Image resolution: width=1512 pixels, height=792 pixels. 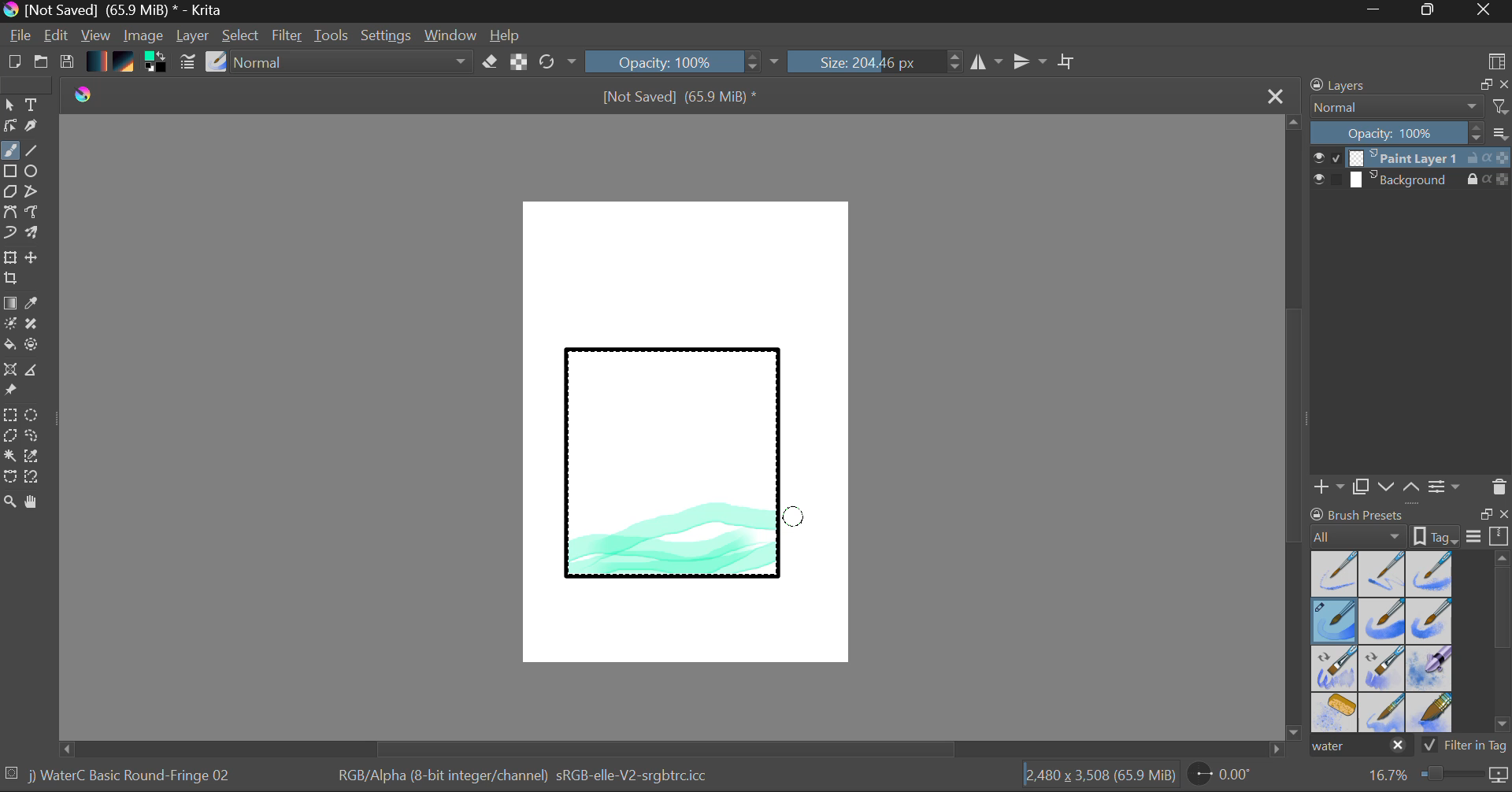 I want to click on Document Dimensions, so click(x=1099, y=778).